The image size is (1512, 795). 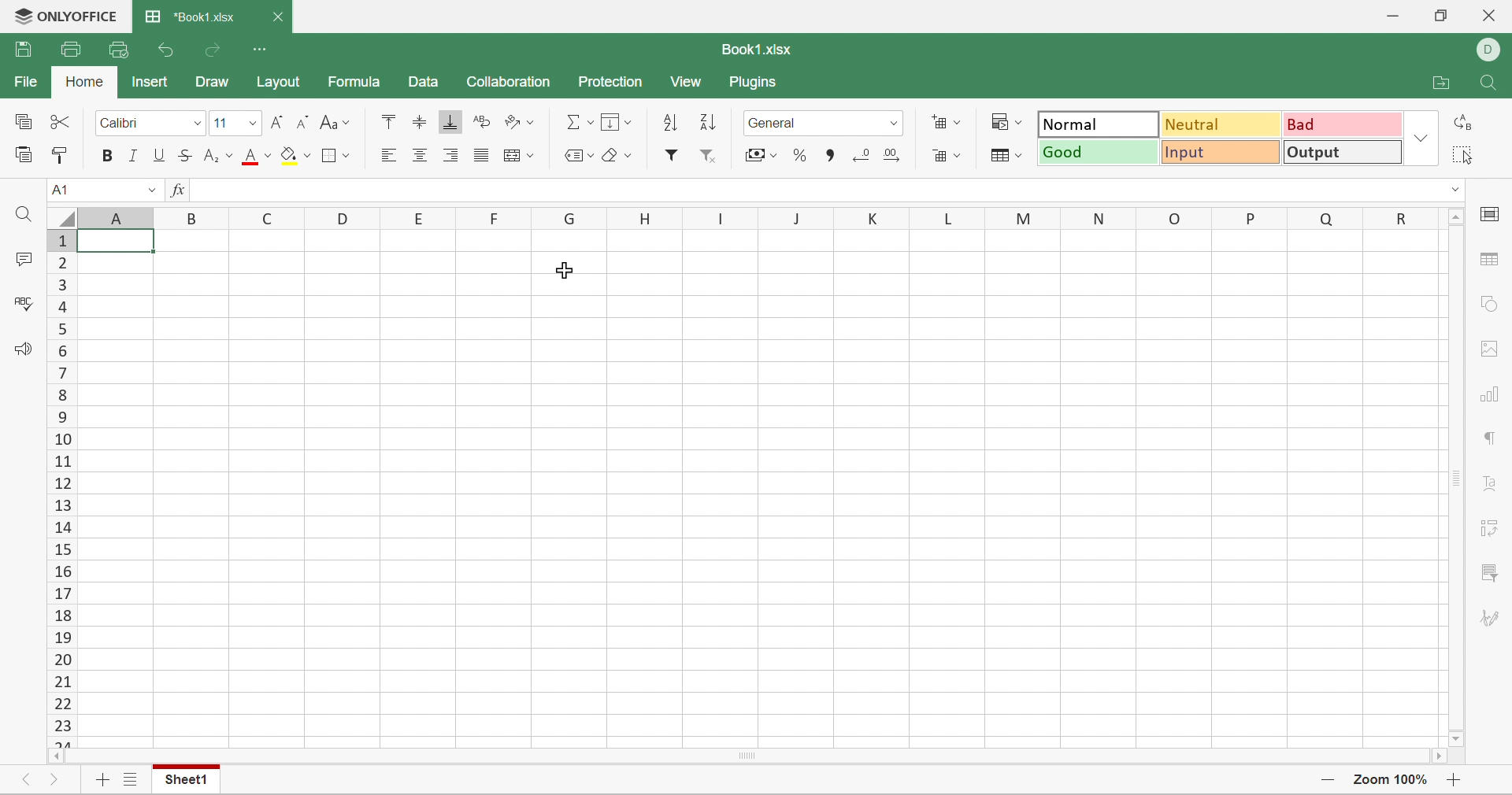 I want to click on 11, so click(x=222, y=124).